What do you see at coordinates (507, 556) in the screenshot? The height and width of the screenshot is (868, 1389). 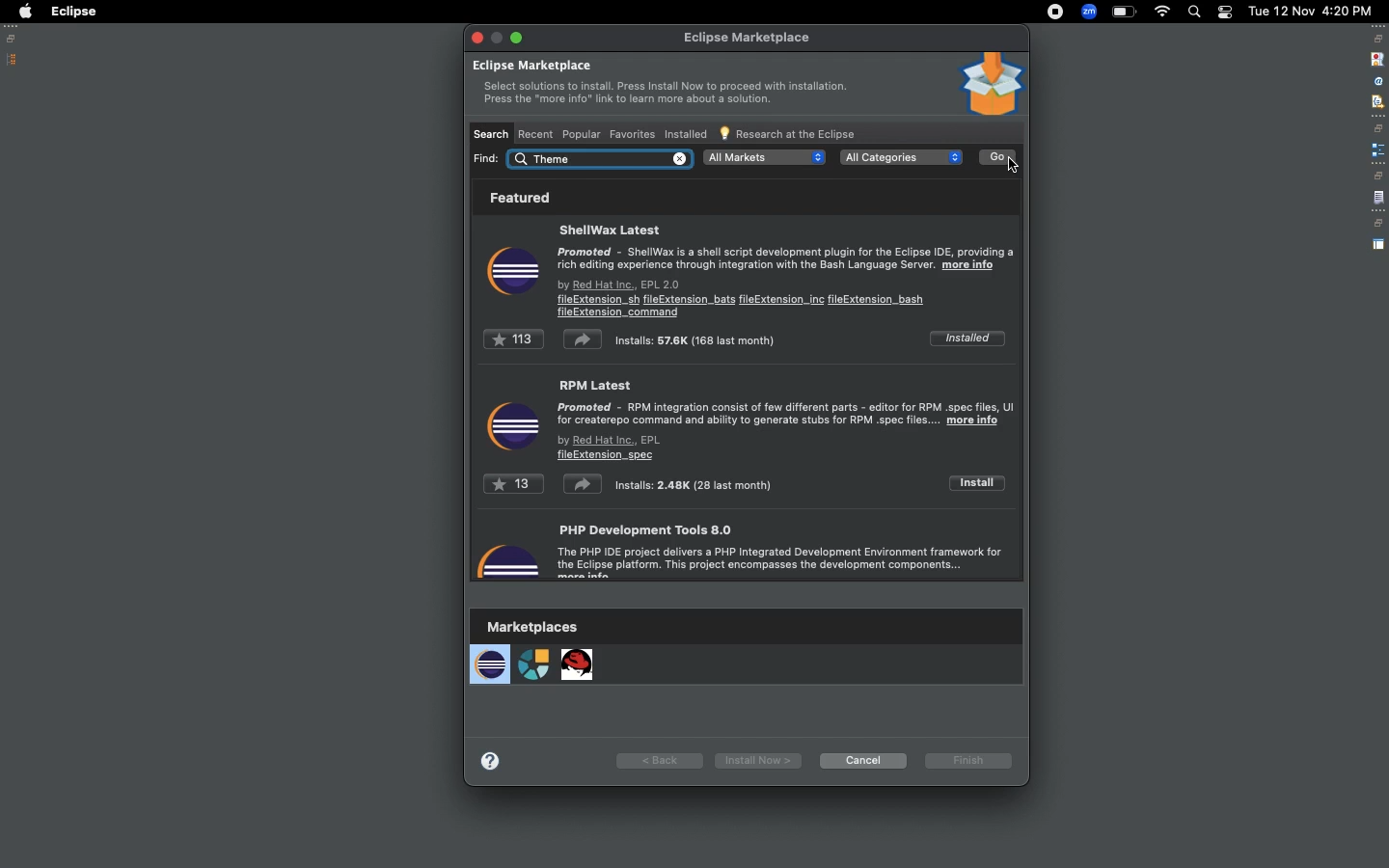 I see `Icon` at bounding box center [507, 556].